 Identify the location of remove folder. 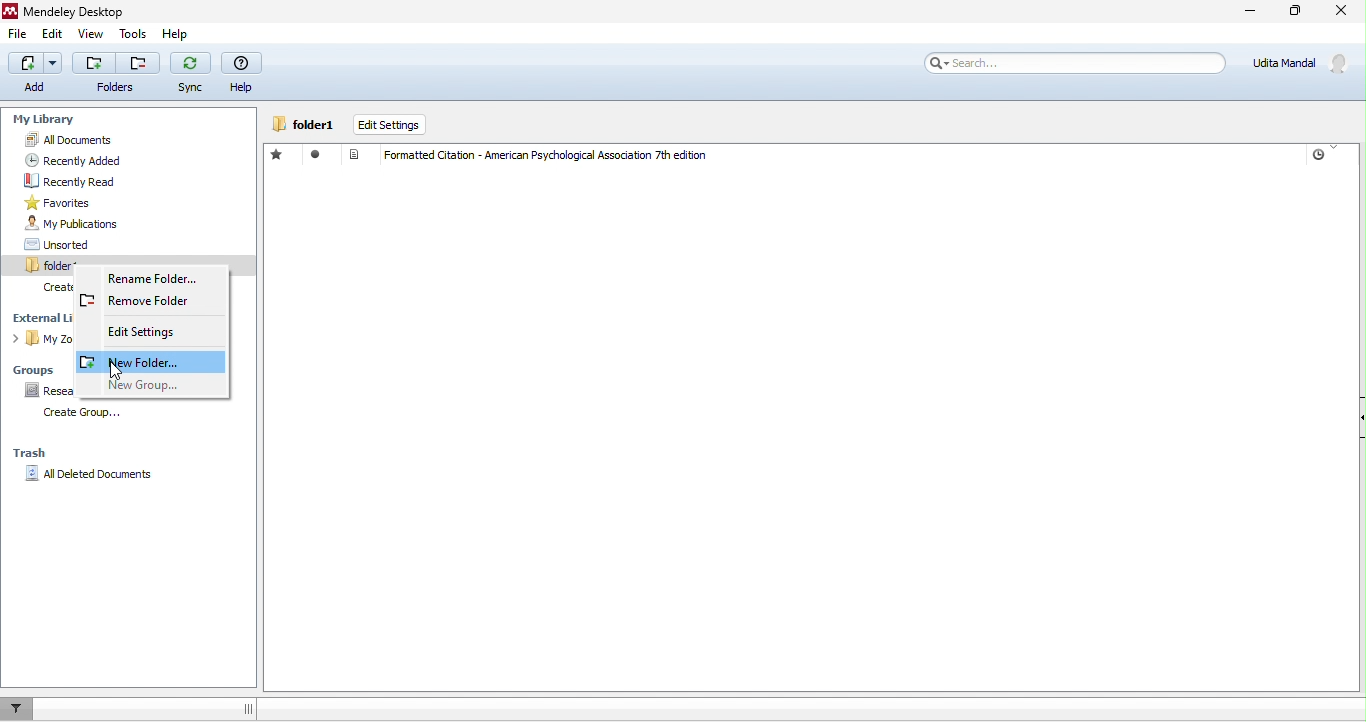
(152, 301).